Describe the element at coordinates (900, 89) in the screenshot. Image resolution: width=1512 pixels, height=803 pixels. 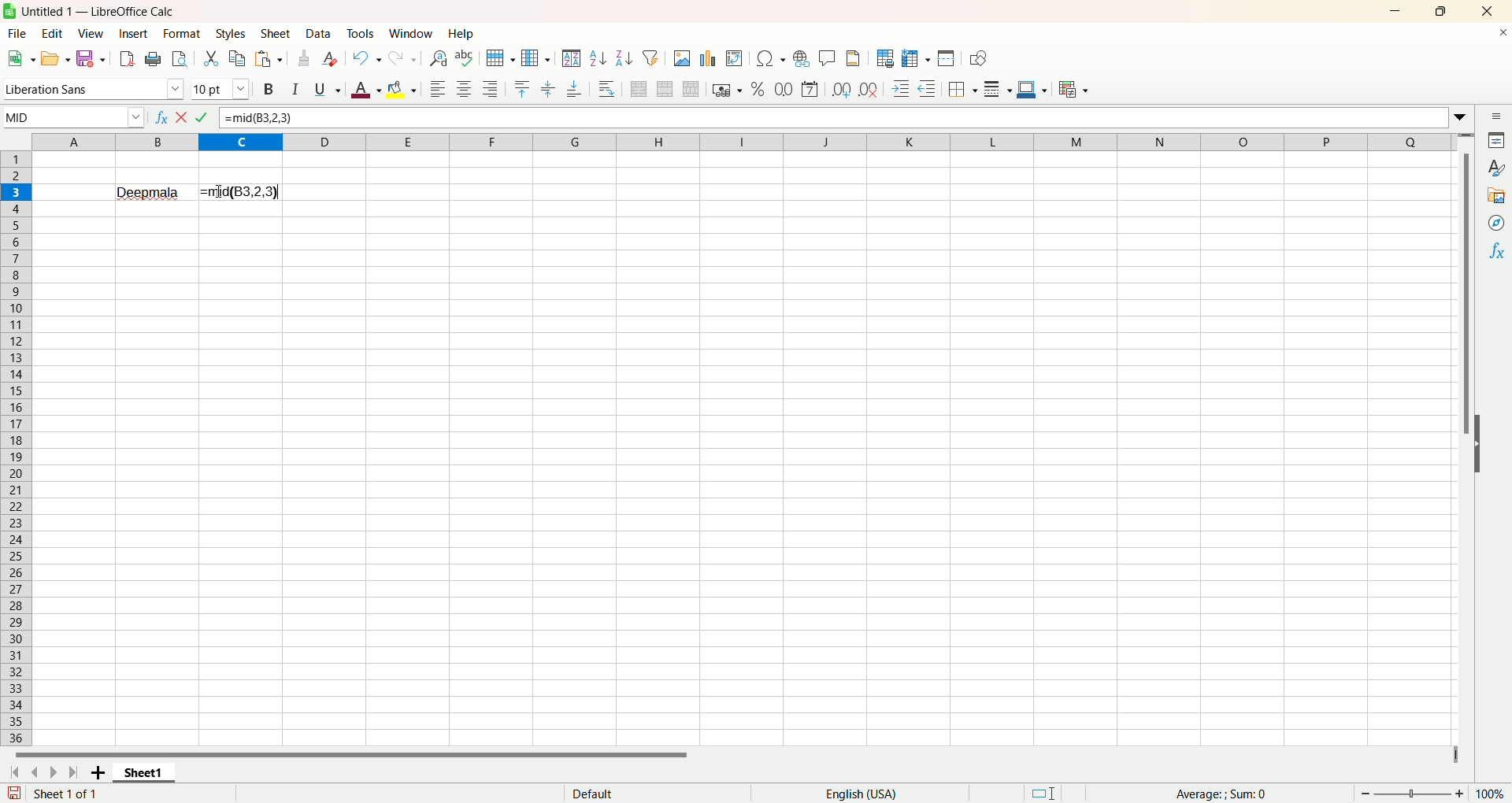
I see `Increase indent` at that location.